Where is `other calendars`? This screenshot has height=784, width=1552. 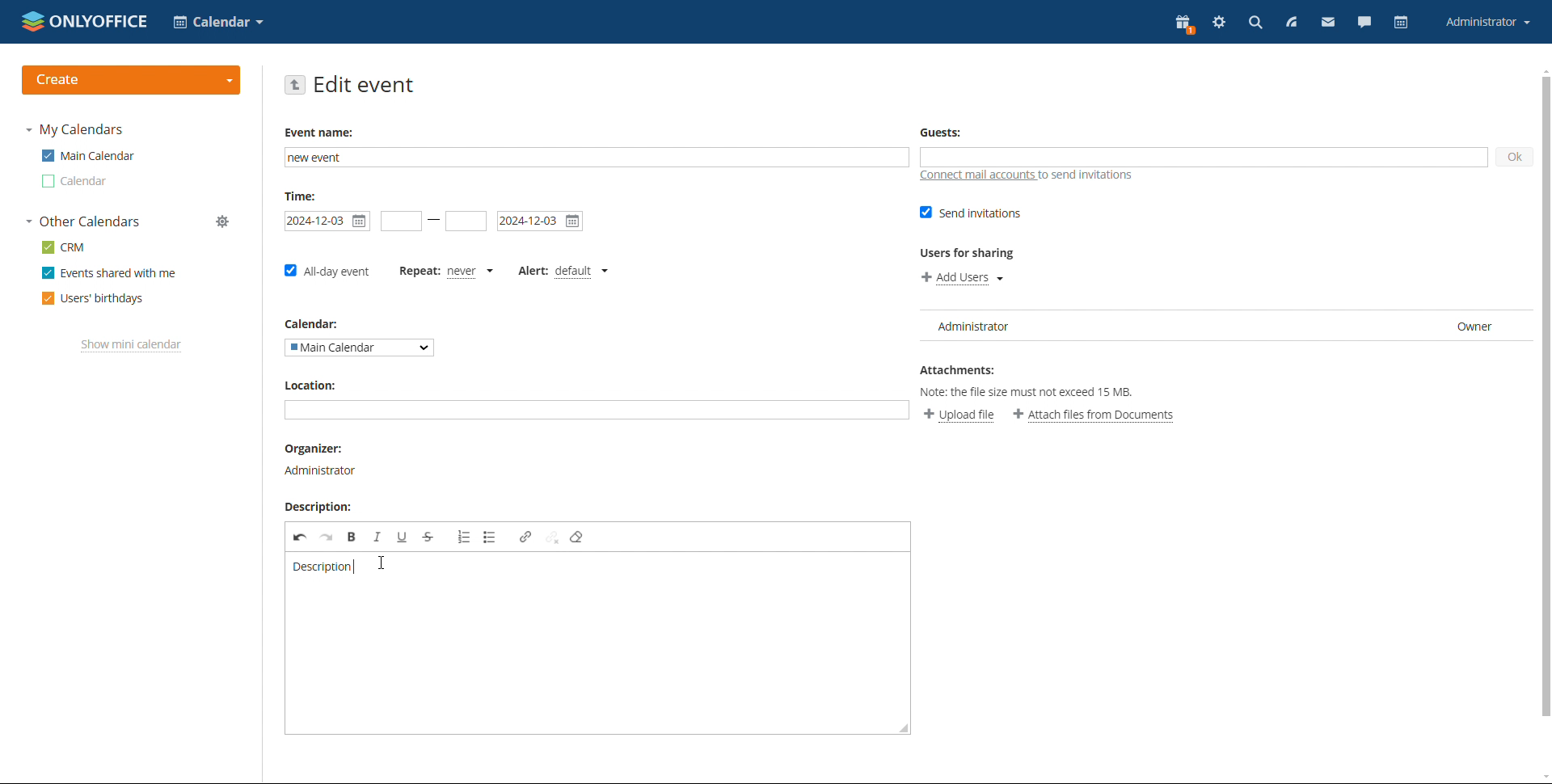 other calendars is located at coordinates (82, 221).